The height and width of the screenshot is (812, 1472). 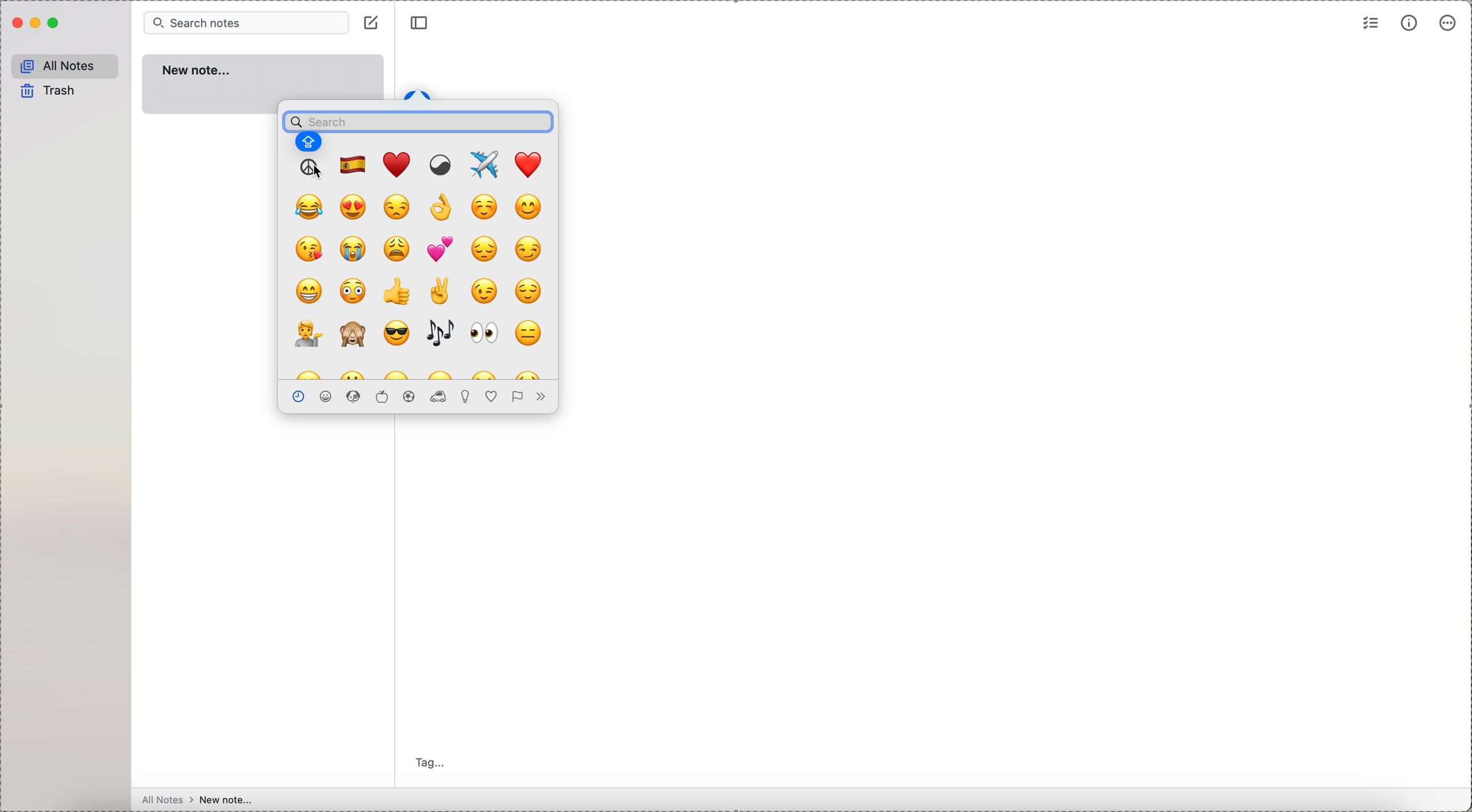 What do you see at coordinates (51, 92) in the screenshot?
I see `trash` at bounding box center [51, 92].